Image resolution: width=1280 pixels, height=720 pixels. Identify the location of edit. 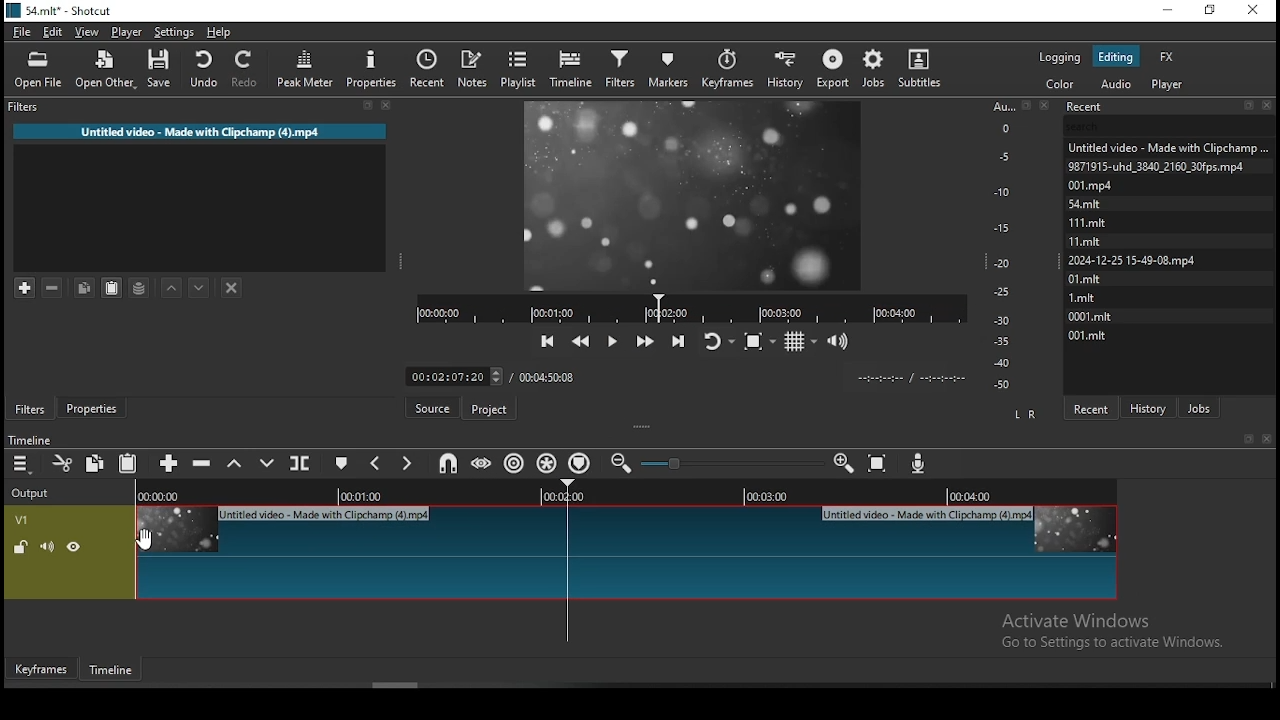
(55, 31).